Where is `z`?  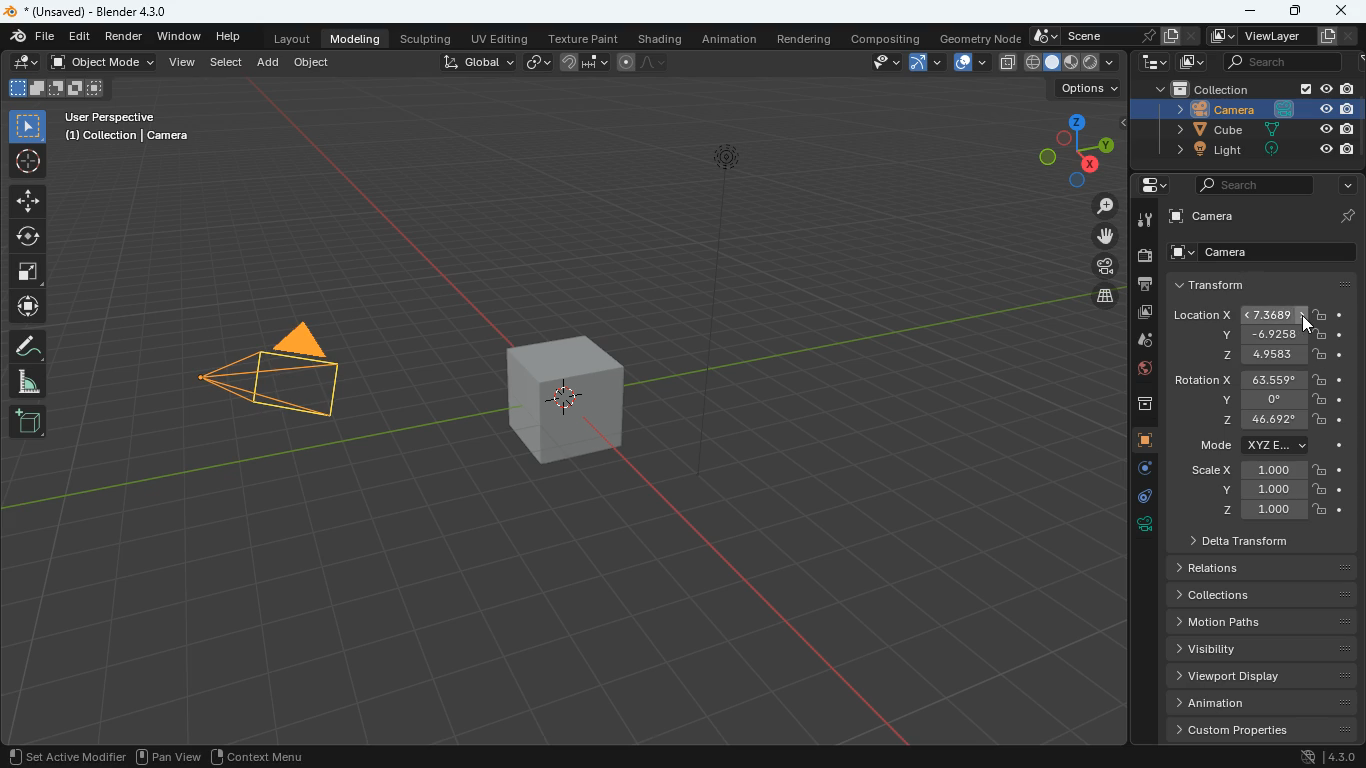
z is located at coordinates (1275, 513).